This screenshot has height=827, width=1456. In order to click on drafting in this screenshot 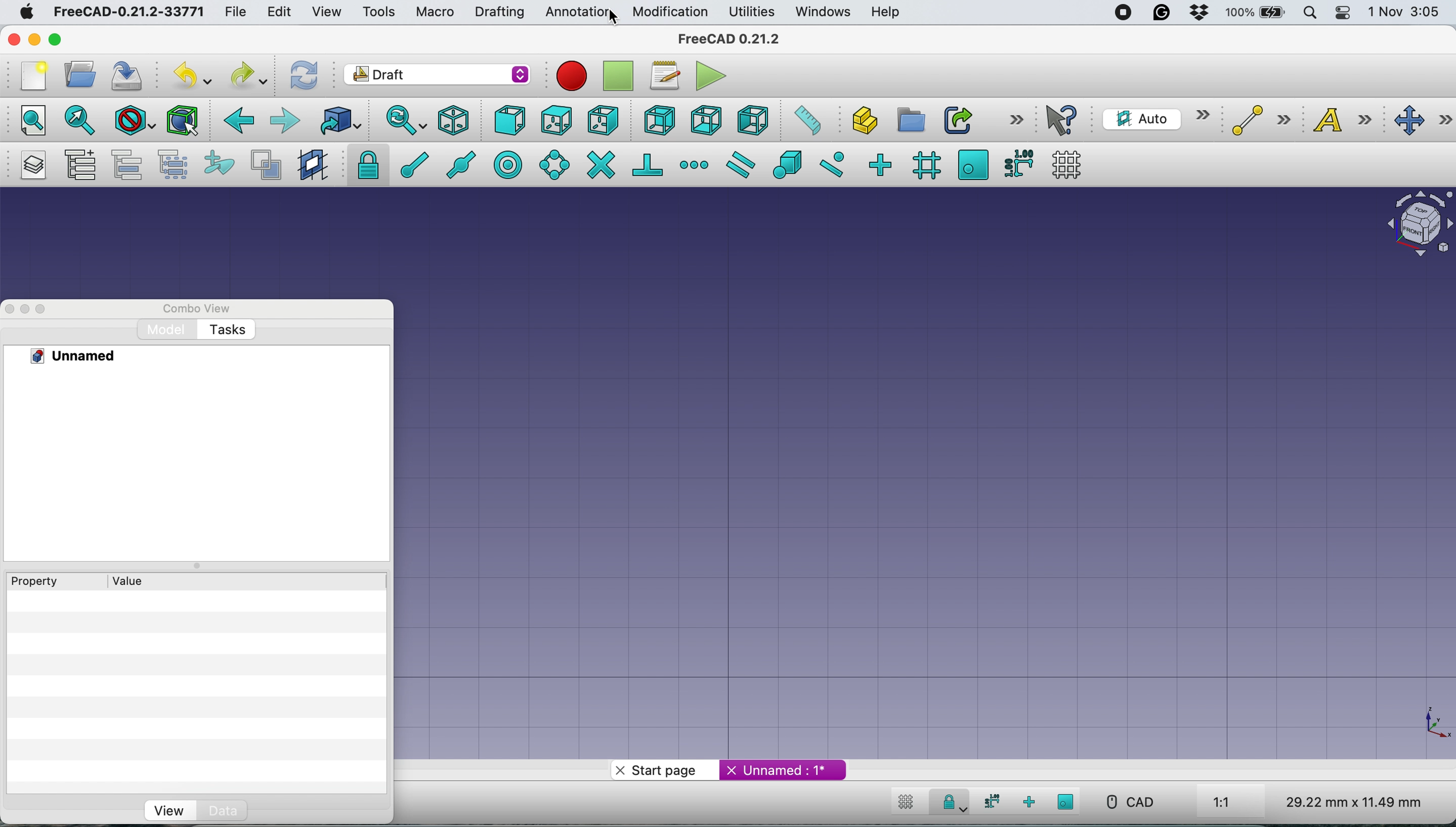, I will do `click(497, 12)`.